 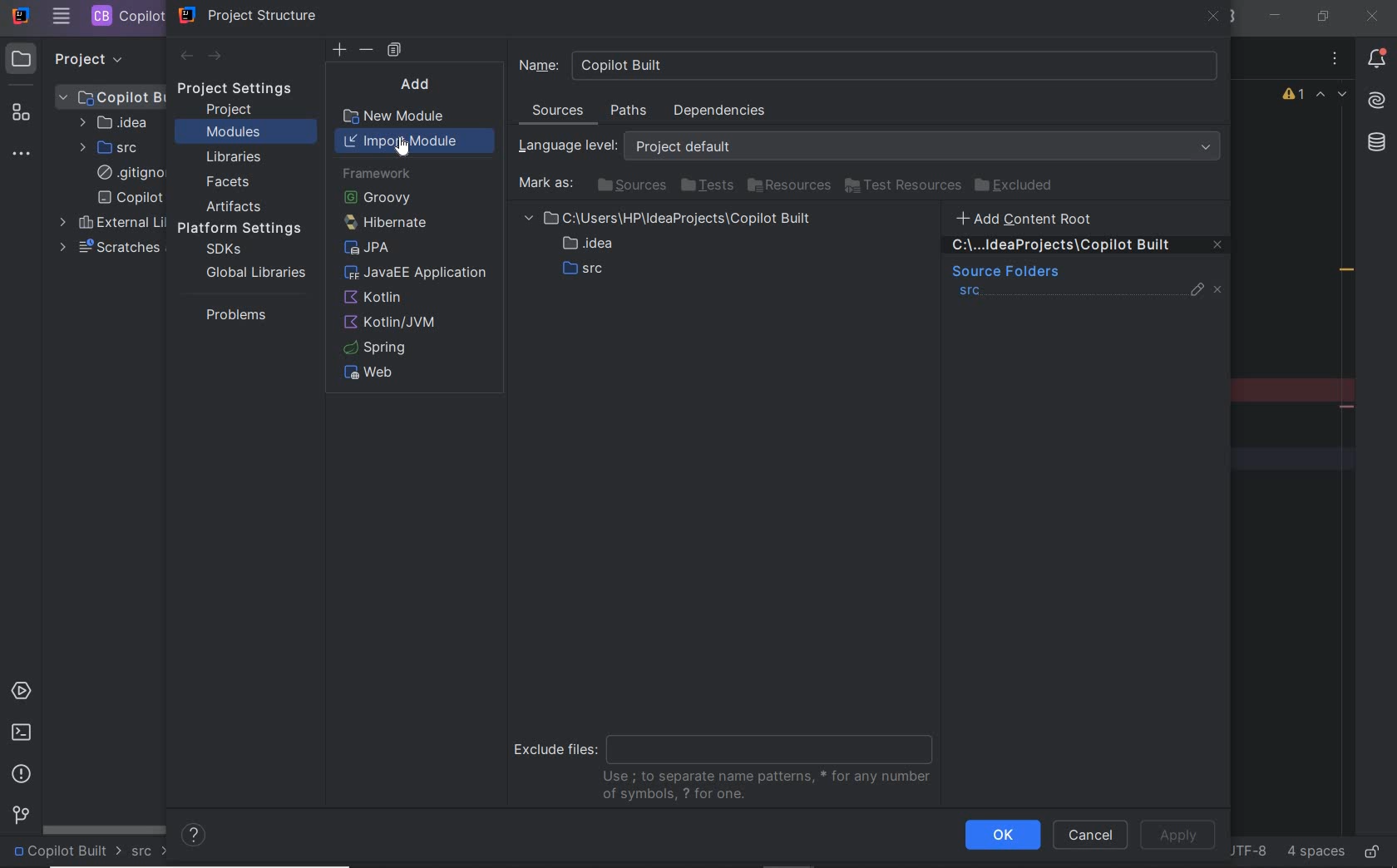 What do you see at coordinates (229, 183) in the screenshot?
I see `facets` at bounding box center [229, 183].